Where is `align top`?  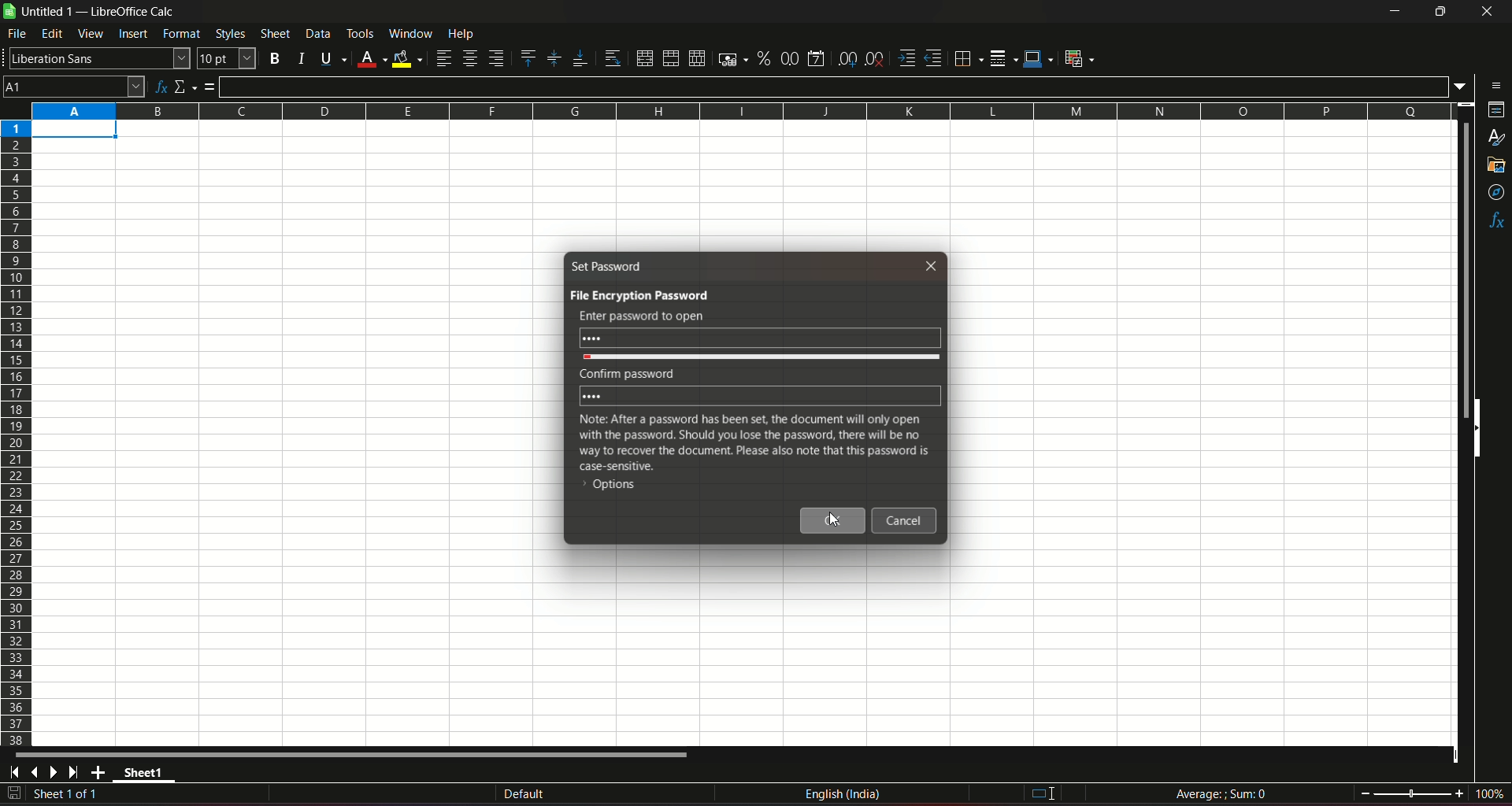
align top is located at coordinates (528, 57).